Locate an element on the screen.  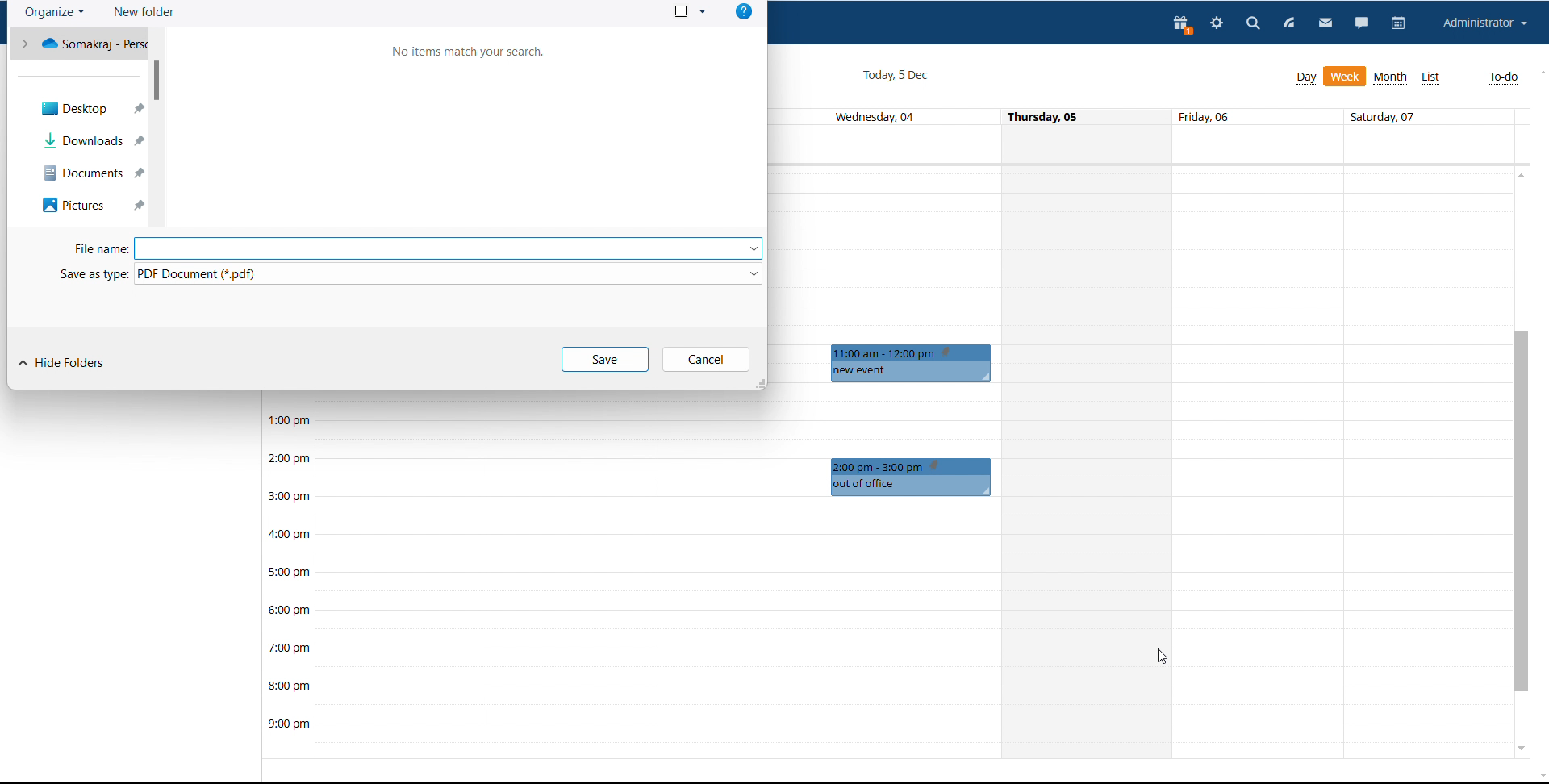
timeline is located at coordinates (287, 583).